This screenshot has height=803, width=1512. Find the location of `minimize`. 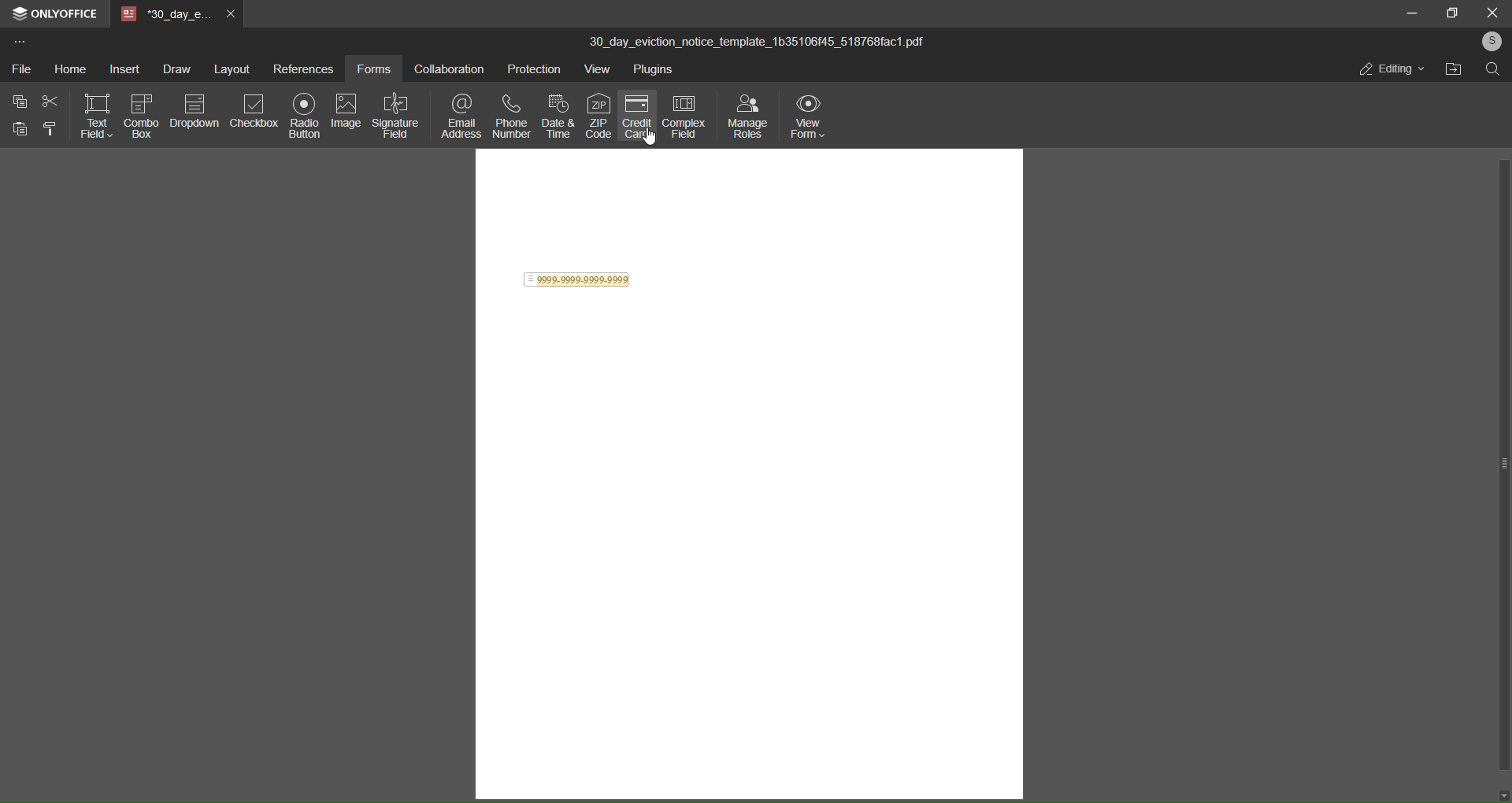

minimize is located at coordinates (1410, 14).